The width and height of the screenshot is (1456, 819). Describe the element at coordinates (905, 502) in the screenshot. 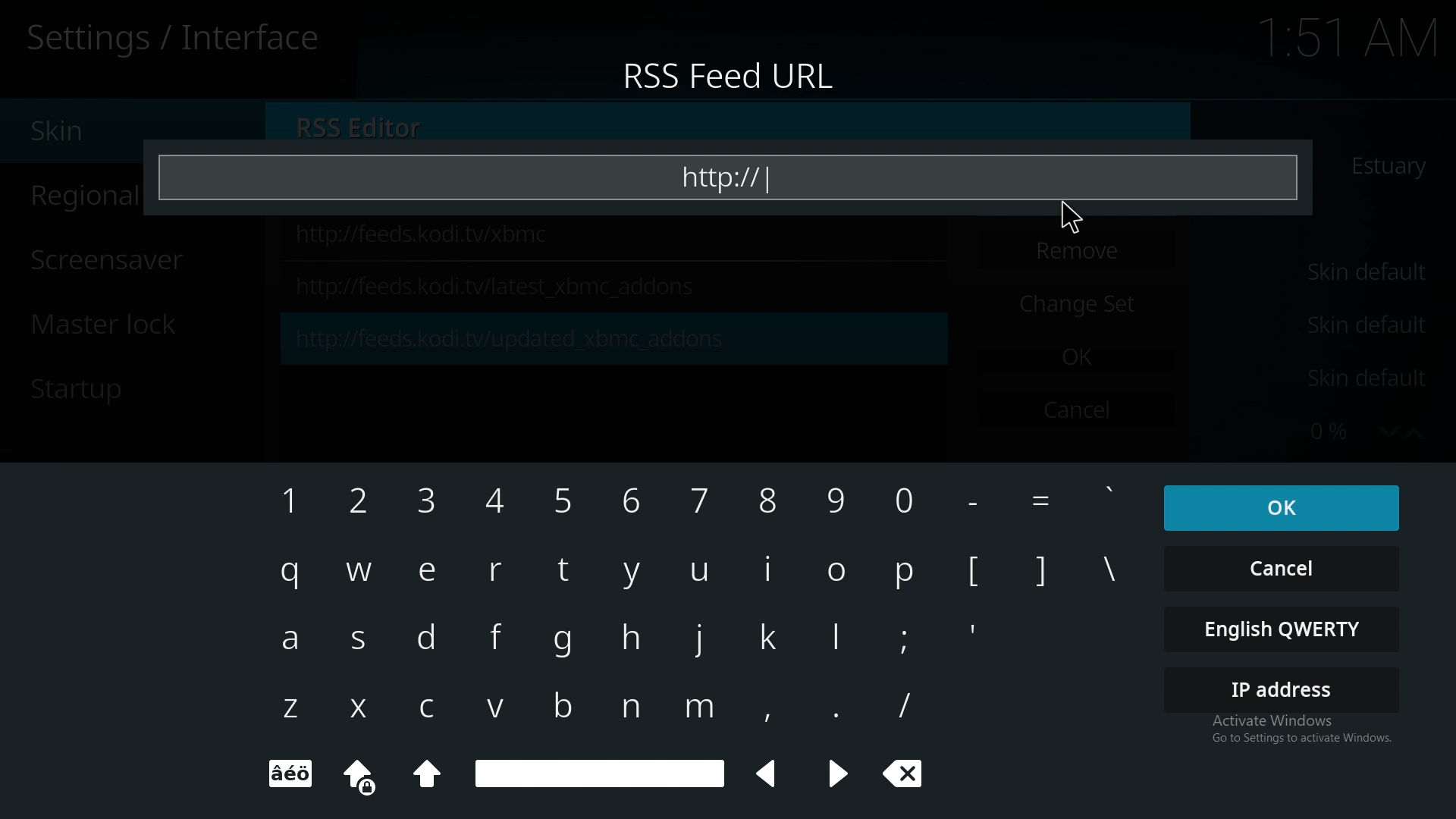

I see `keyboard Input` at that location.